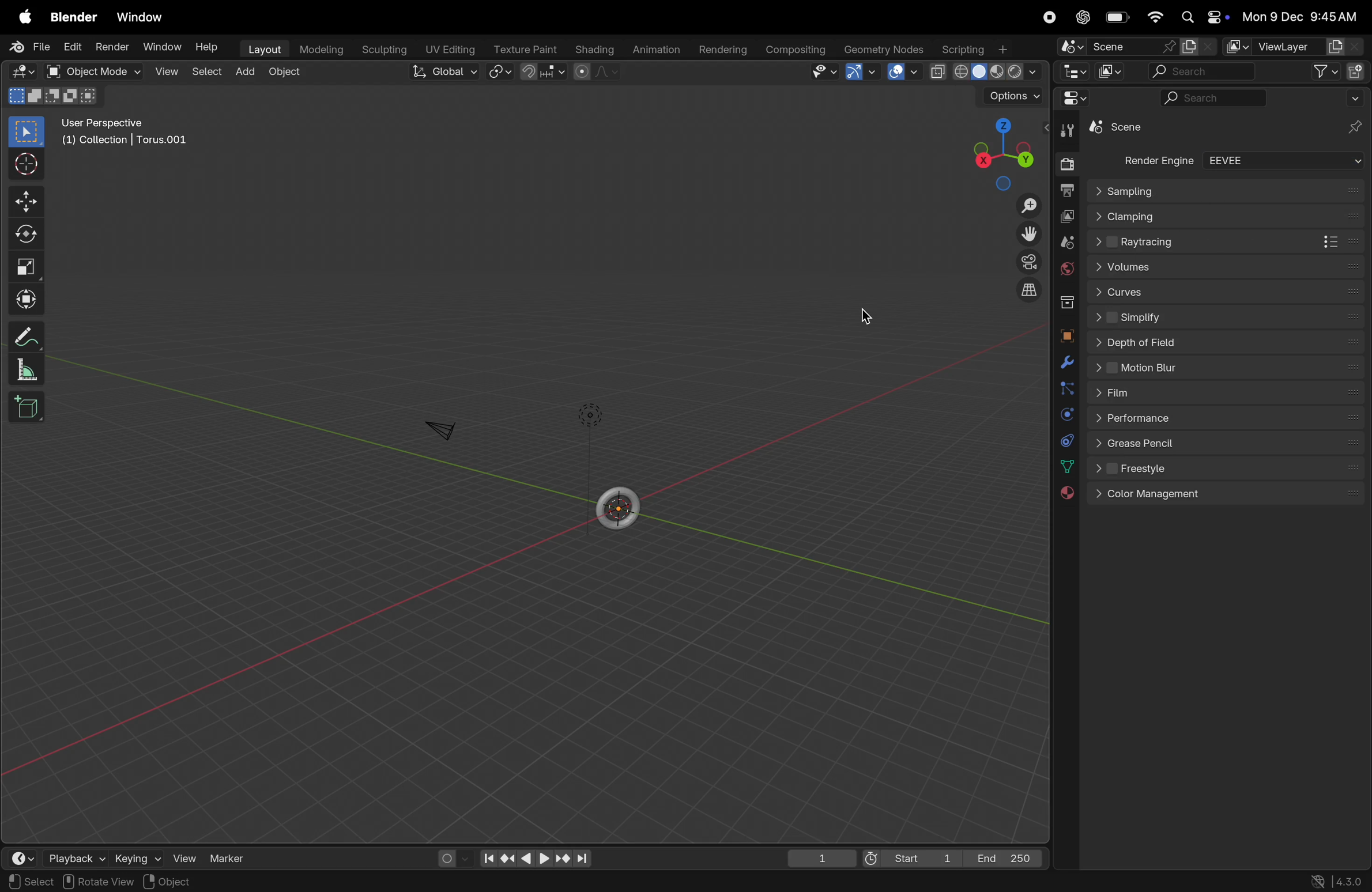 This screenshot has width=1372, height=892. I want to click on material, so click(1071, 494).